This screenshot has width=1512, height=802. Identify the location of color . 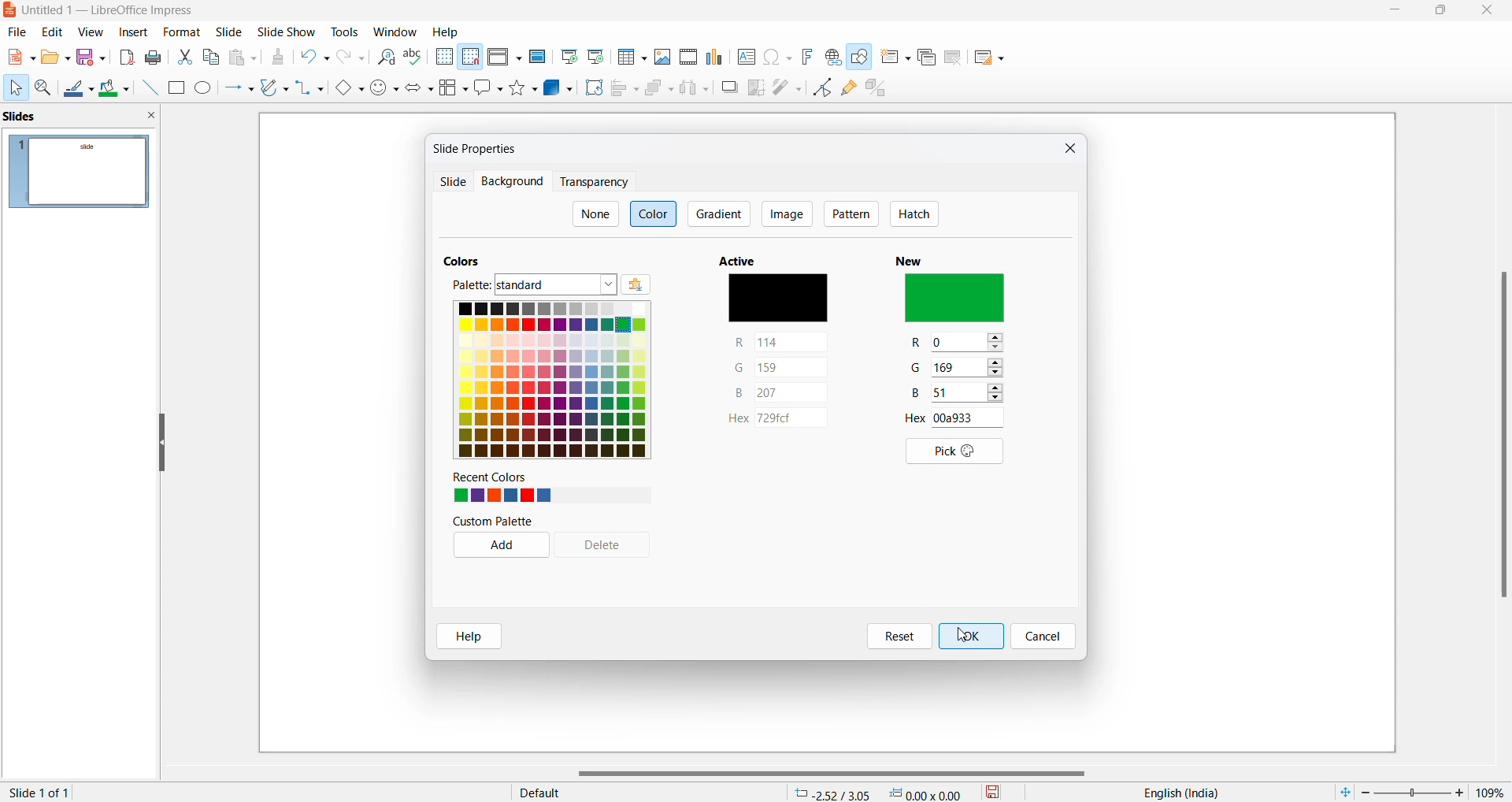
(655, 213).